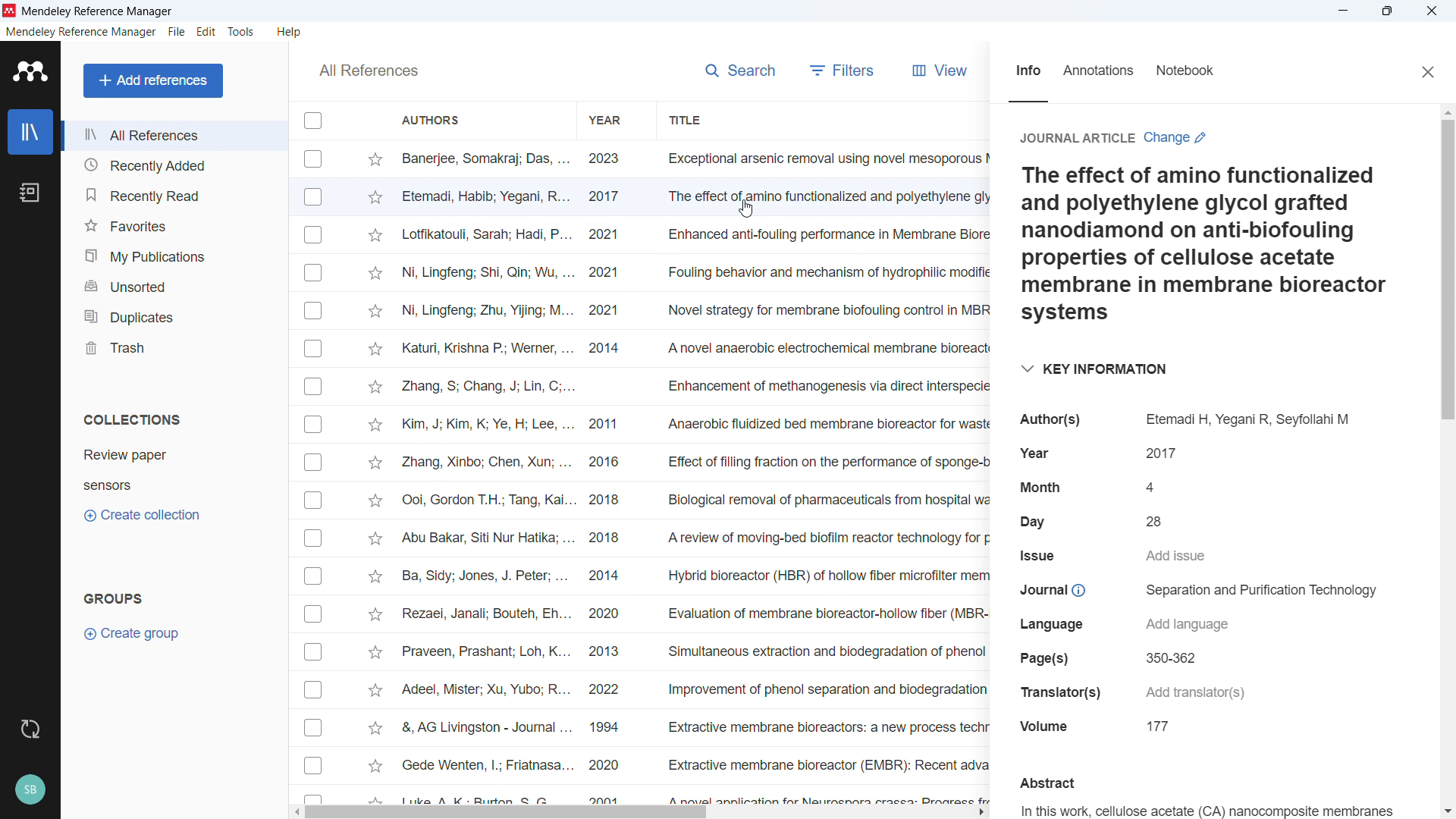 Image resolution: width=1456 pixels, height=819 pixels. Describe the element at coordinates (827, 474) in the screenshot. I see `Title of individual entries ` at that location.